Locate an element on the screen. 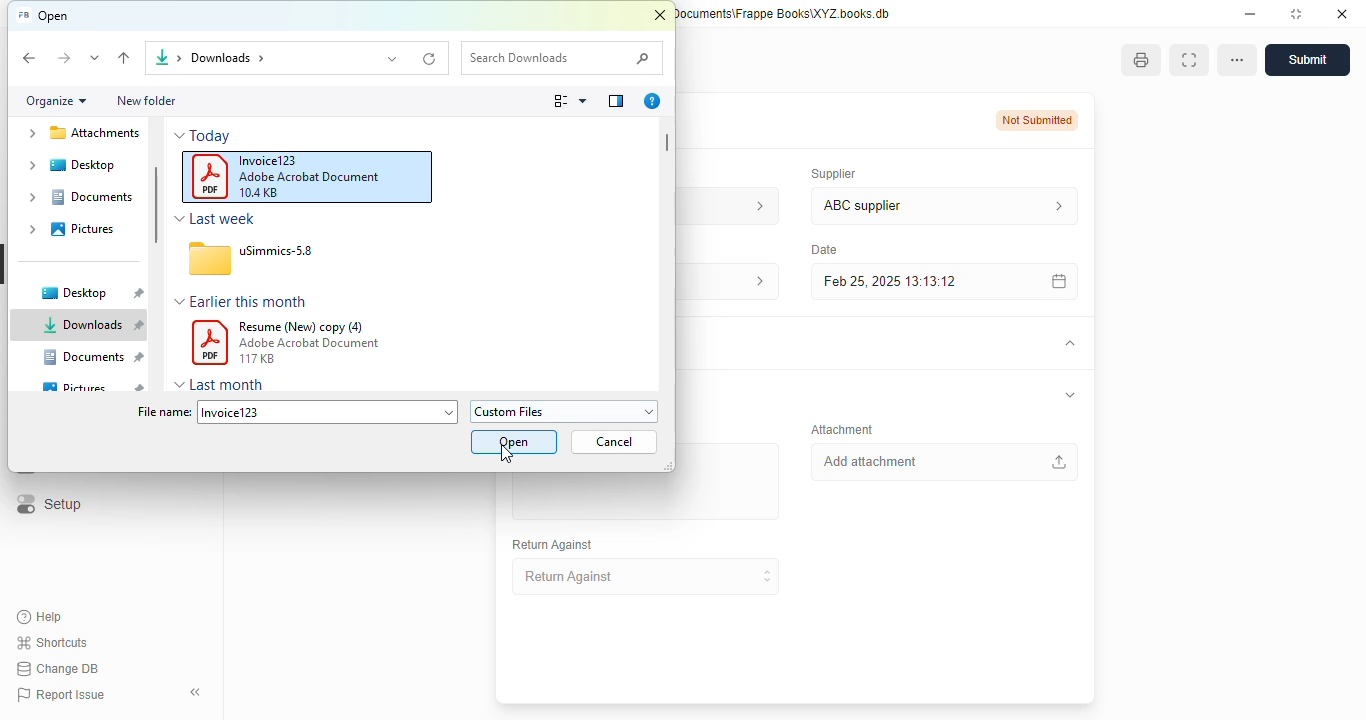 This screenshot has height=720, width=1366. change DB is located at coordinates (57, 669).